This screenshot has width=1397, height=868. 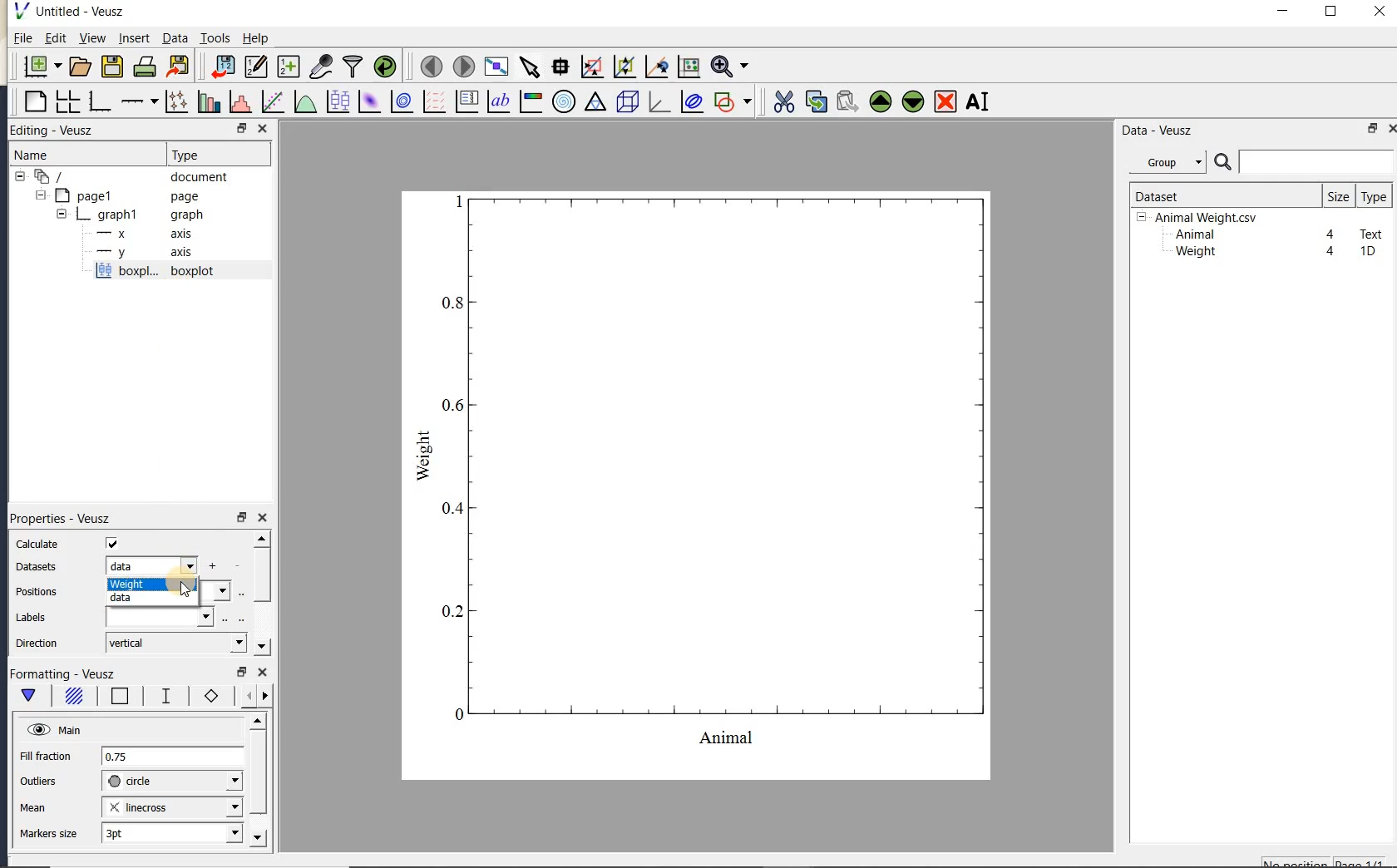 What do you see at coordinates (304, 104) in the screenshot?
I see `plot a function` at bounding box center [304, 104].